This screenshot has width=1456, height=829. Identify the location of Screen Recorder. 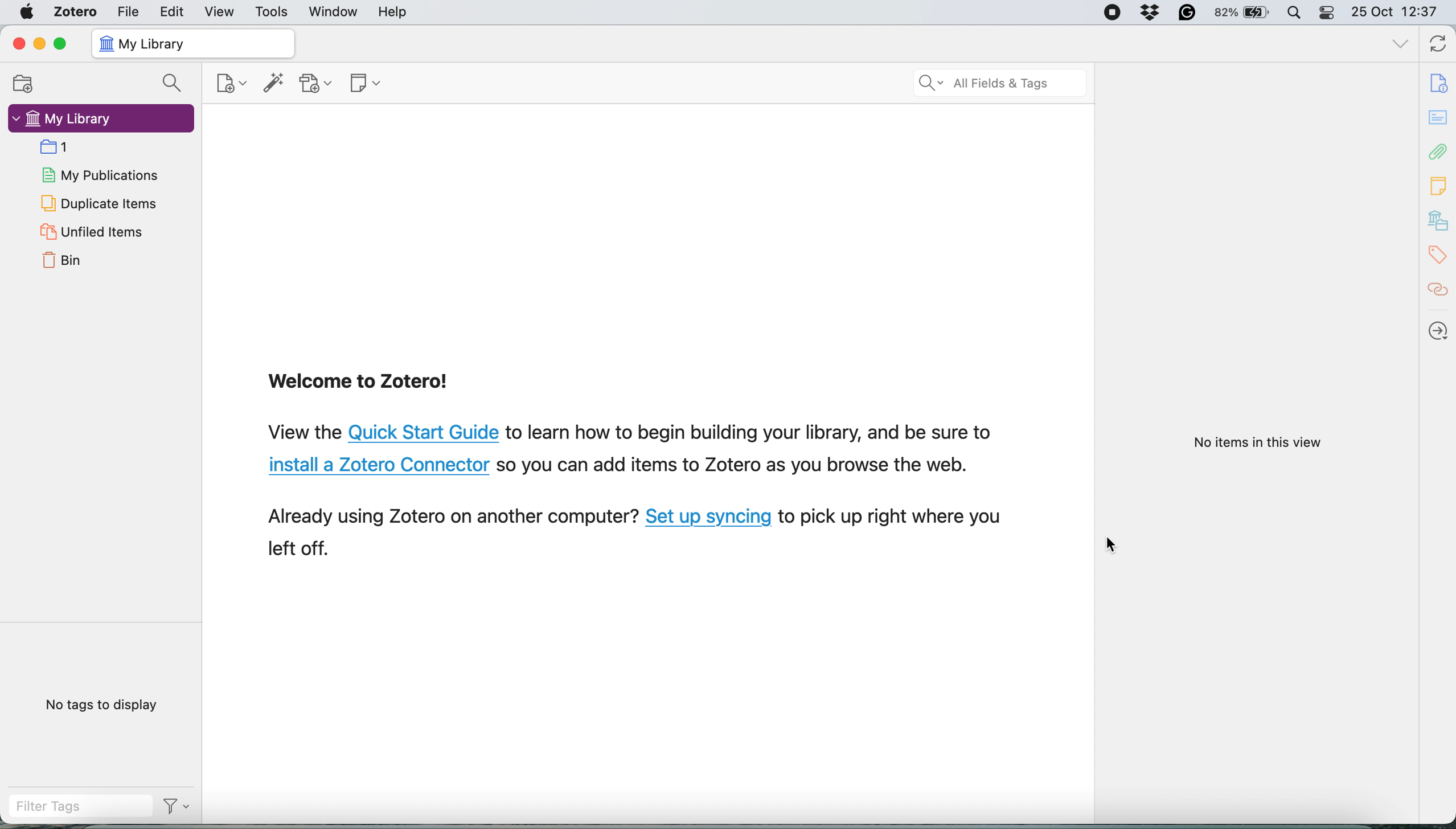
(1110, 12).